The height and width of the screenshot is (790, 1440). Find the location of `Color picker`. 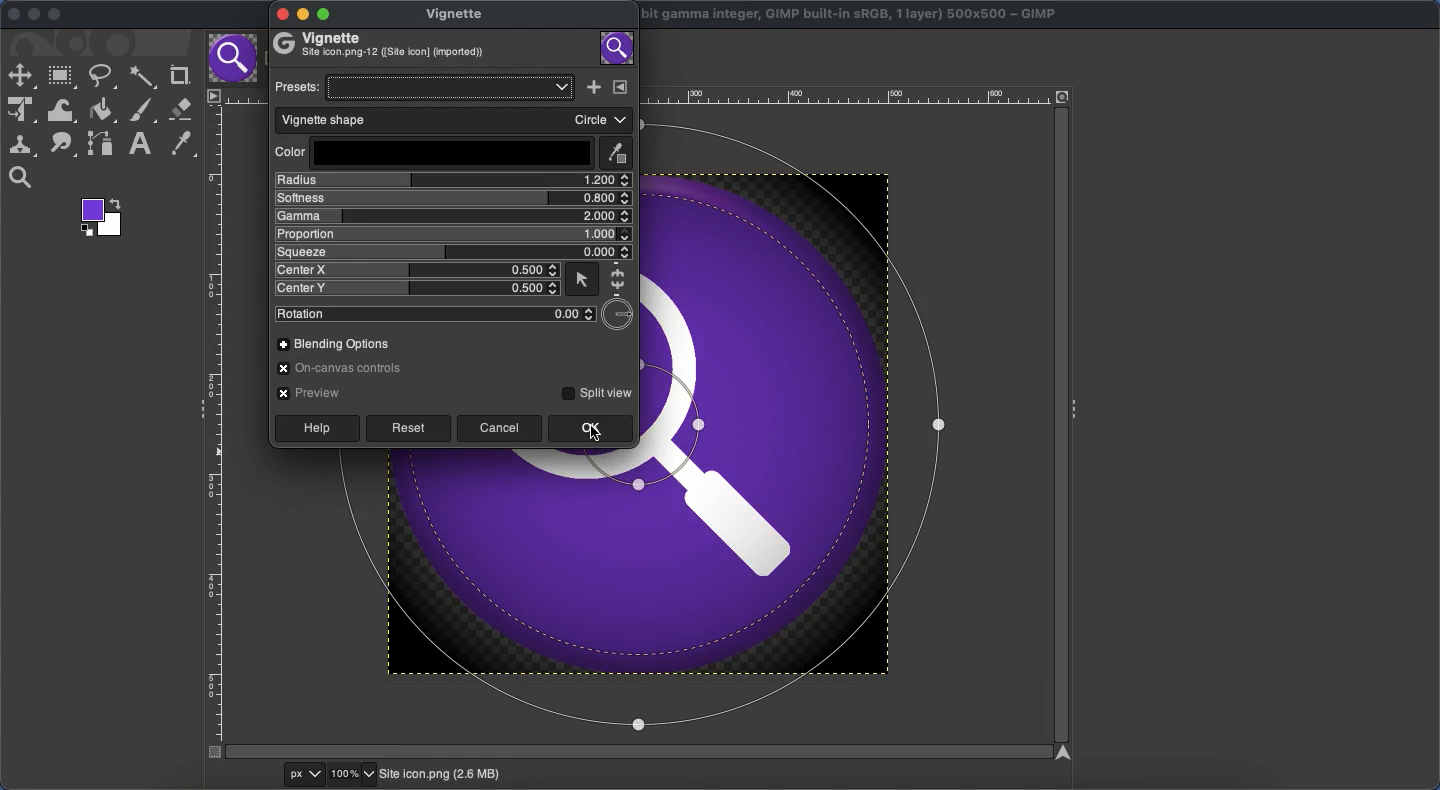

Color picker is located at coordinates (179, 144).